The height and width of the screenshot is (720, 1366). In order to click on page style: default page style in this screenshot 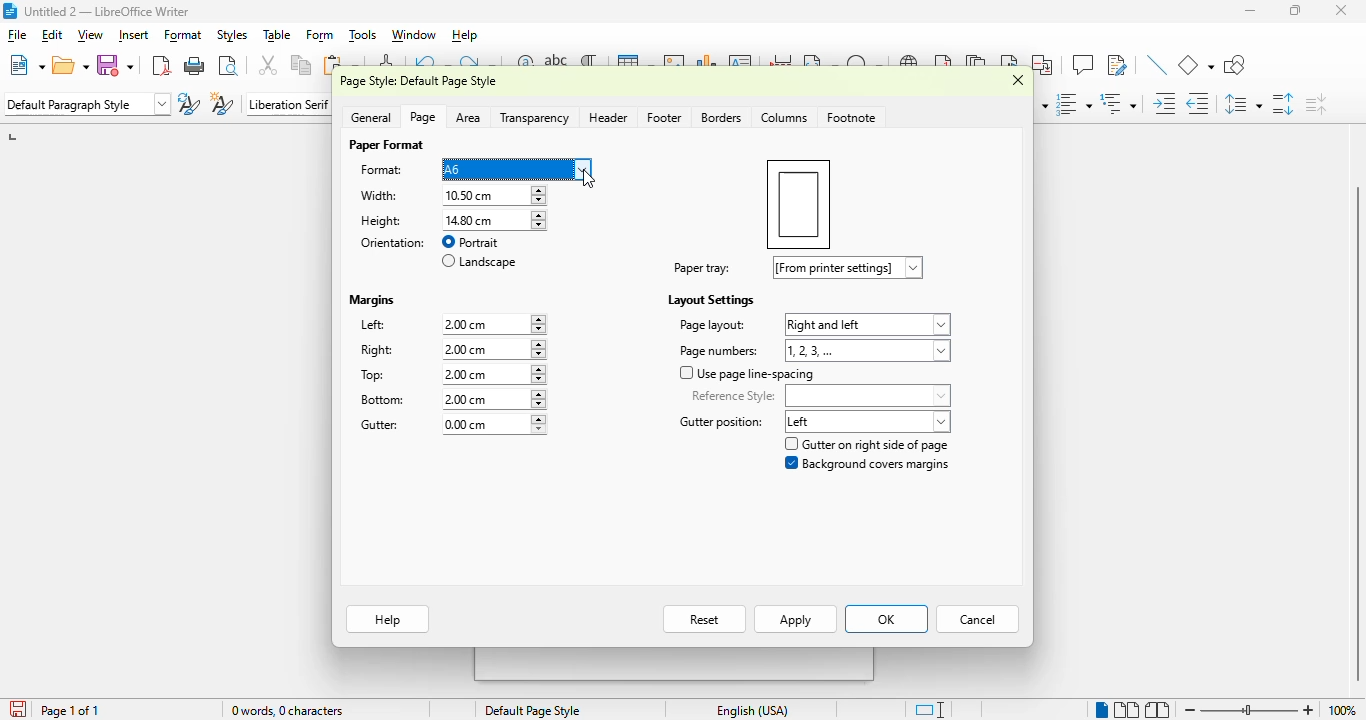, I will do `click(418, 81)`.